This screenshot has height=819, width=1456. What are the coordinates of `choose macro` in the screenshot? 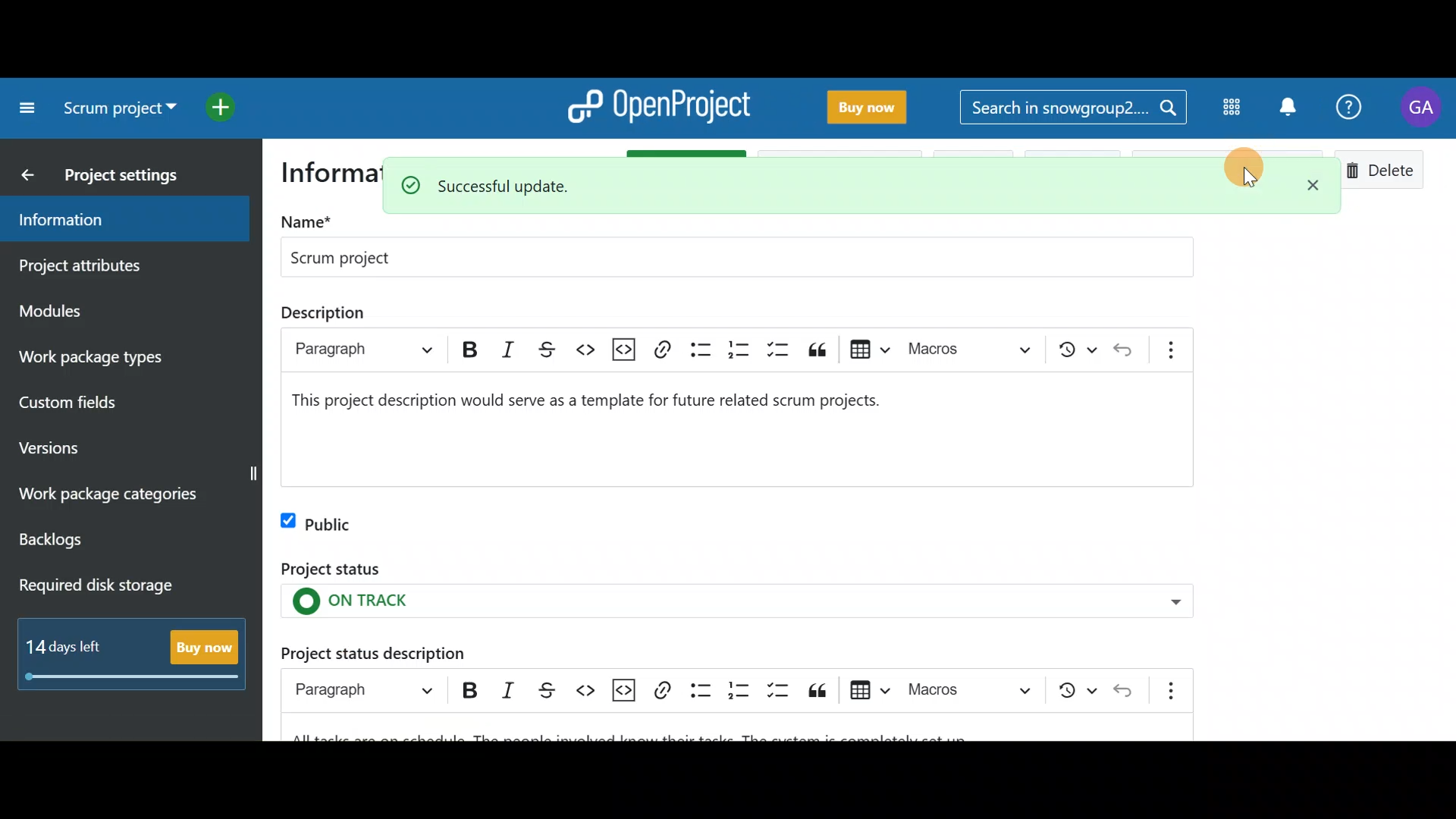 It's located at (971, 347).